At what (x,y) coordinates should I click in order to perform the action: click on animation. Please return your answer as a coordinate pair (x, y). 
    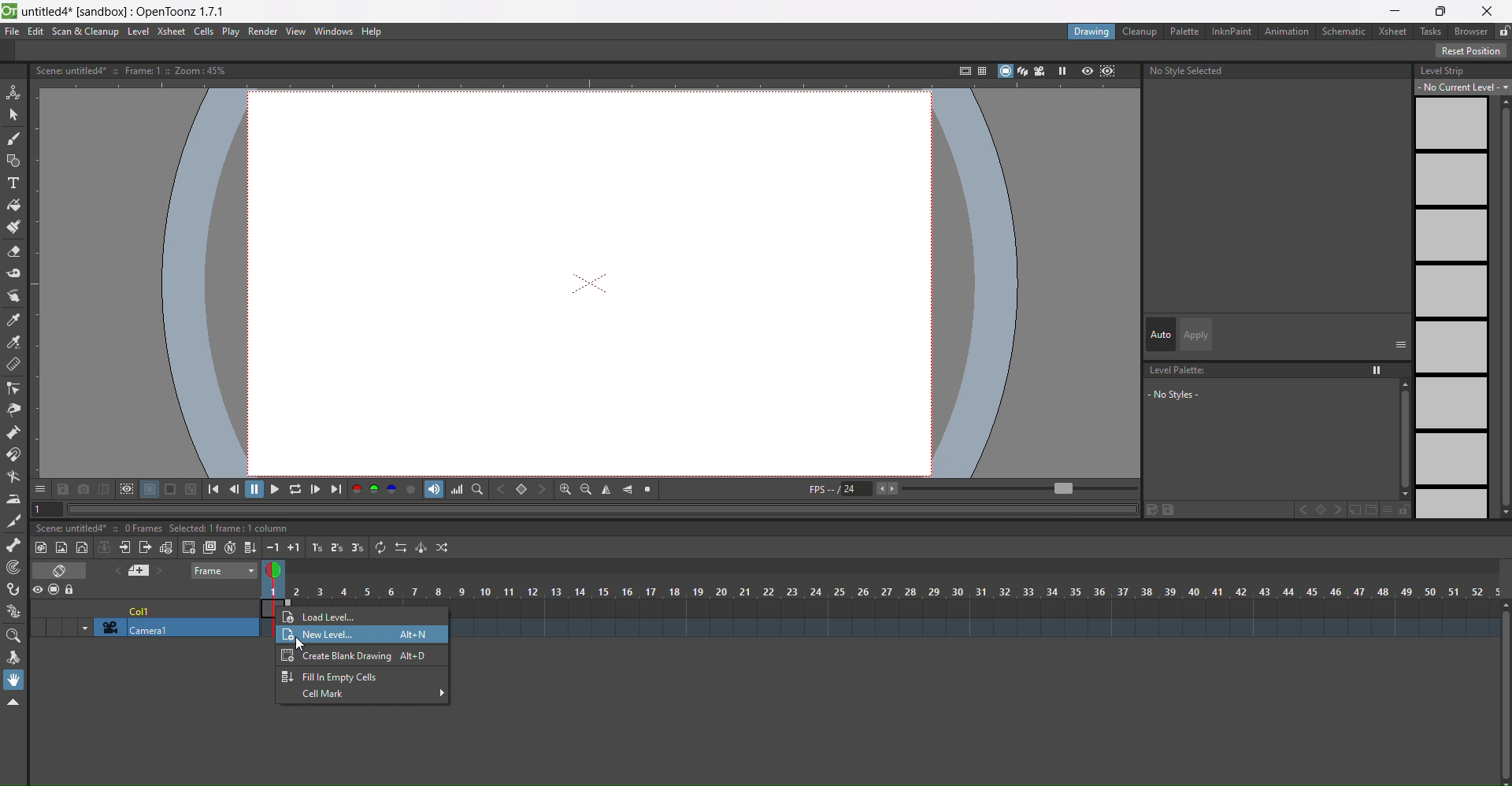
    Looking at the image, I should click on (1288, 32).